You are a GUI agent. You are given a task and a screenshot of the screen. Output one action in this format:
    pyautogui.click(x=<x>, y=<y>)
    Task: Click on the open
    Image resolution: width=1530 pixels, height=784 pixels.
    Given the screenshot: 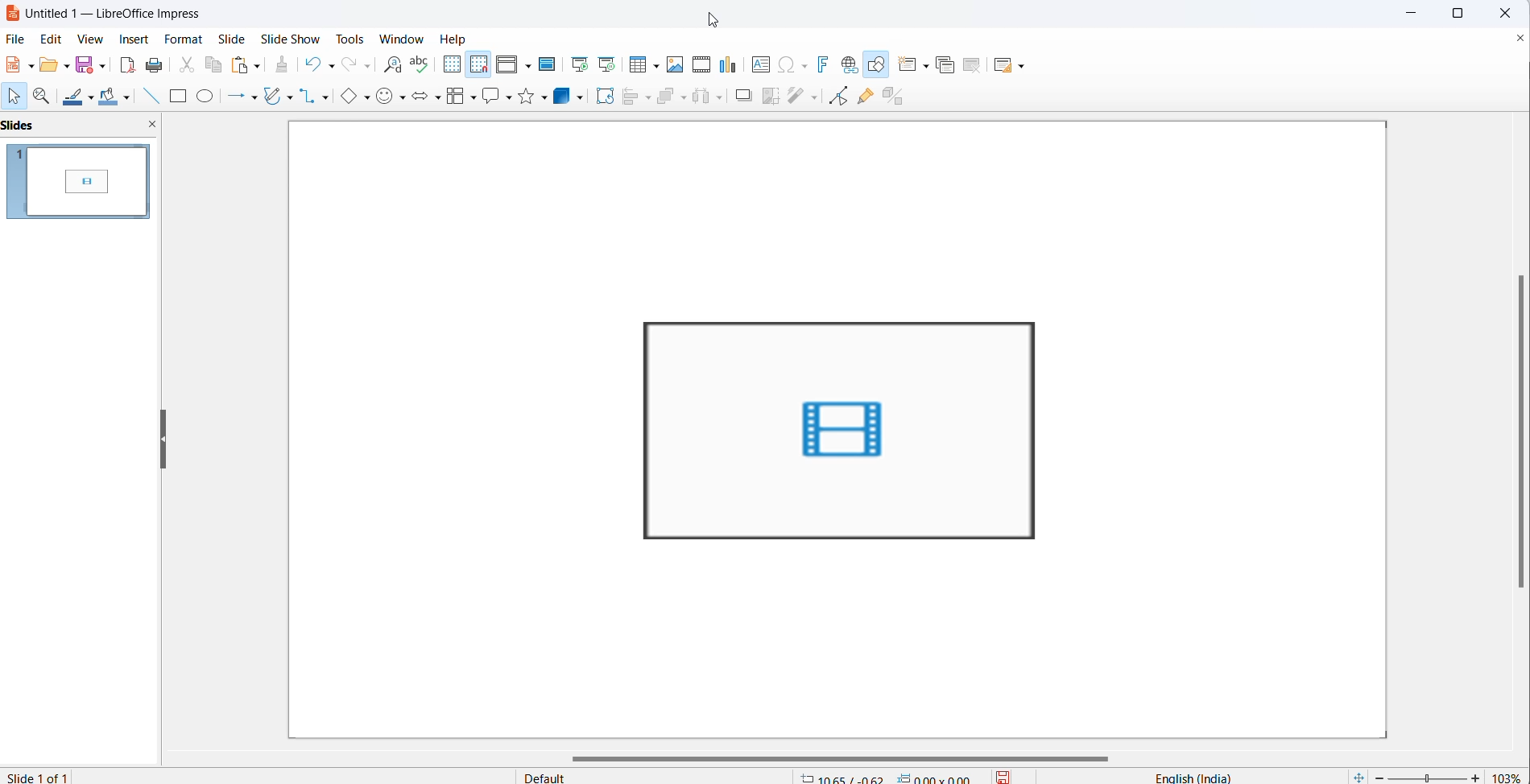 What is the action you would take?
    pyautogui.click(x=49, y=67)
    